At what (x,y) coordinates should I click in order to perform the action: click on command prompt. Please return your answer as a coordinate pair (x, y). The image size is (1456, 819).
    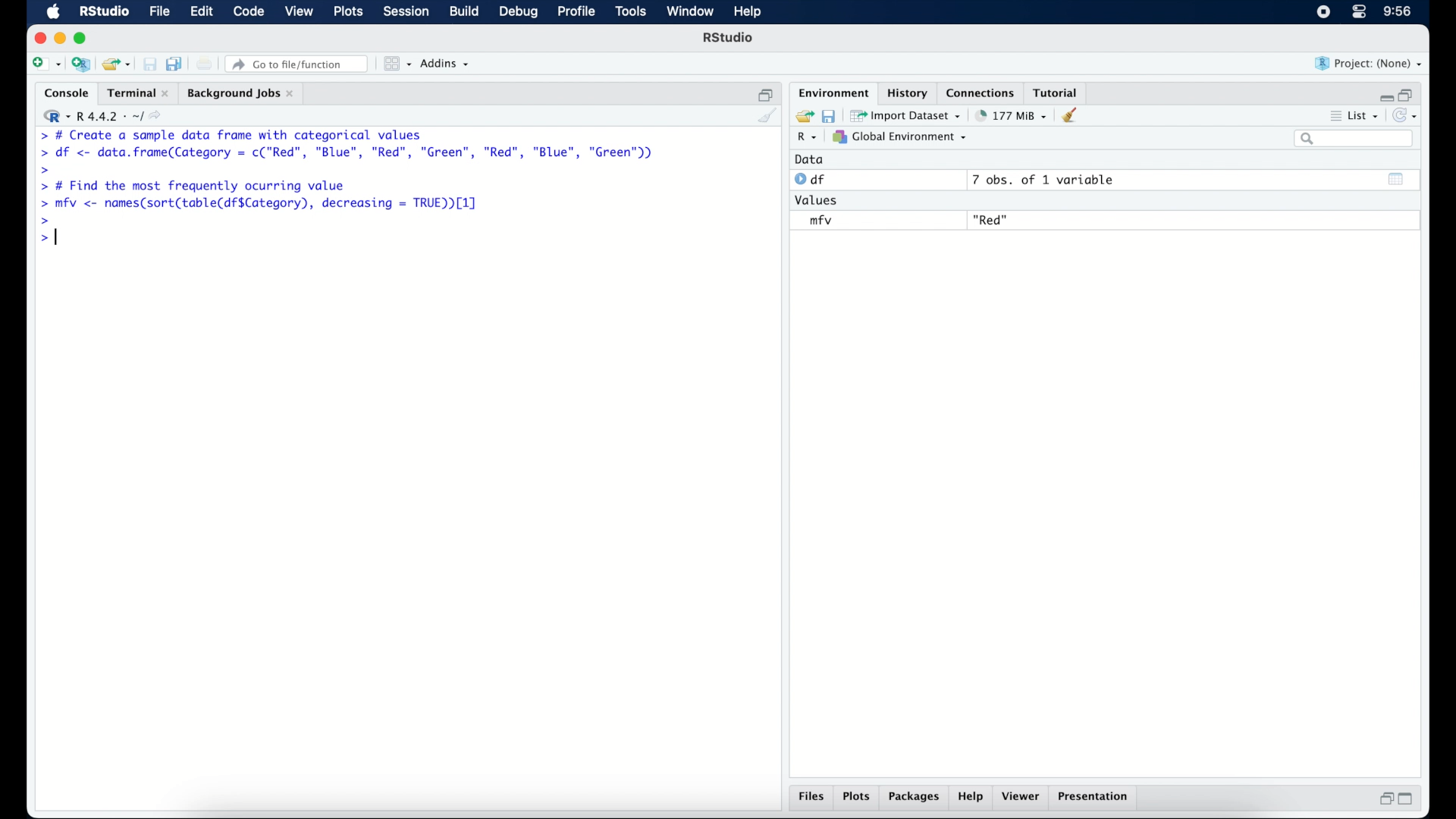
    Looking at the image, I should click on (45, 238).